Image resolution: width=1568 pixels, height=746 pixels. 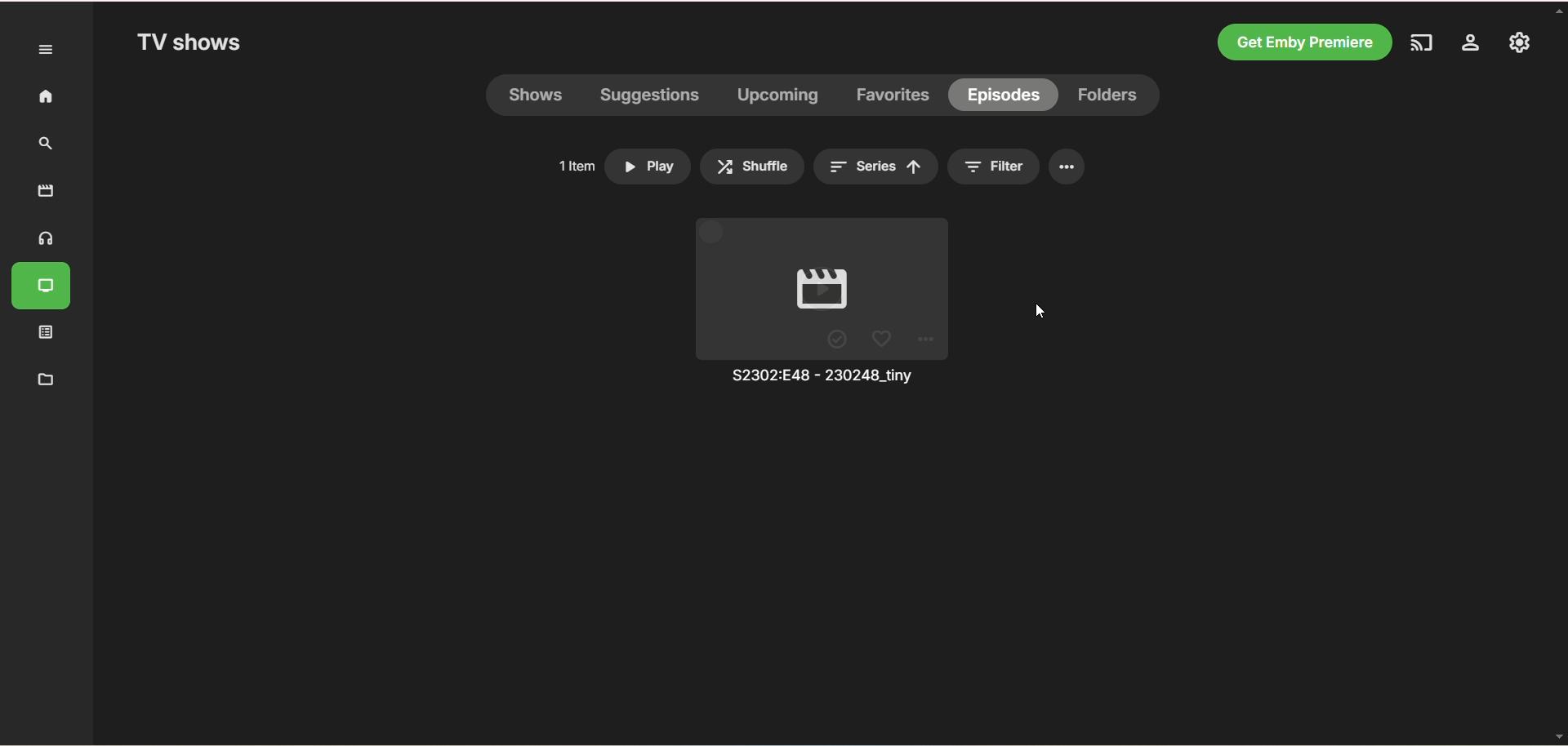 I want to click on TV shows, so click(x=194, y=44).